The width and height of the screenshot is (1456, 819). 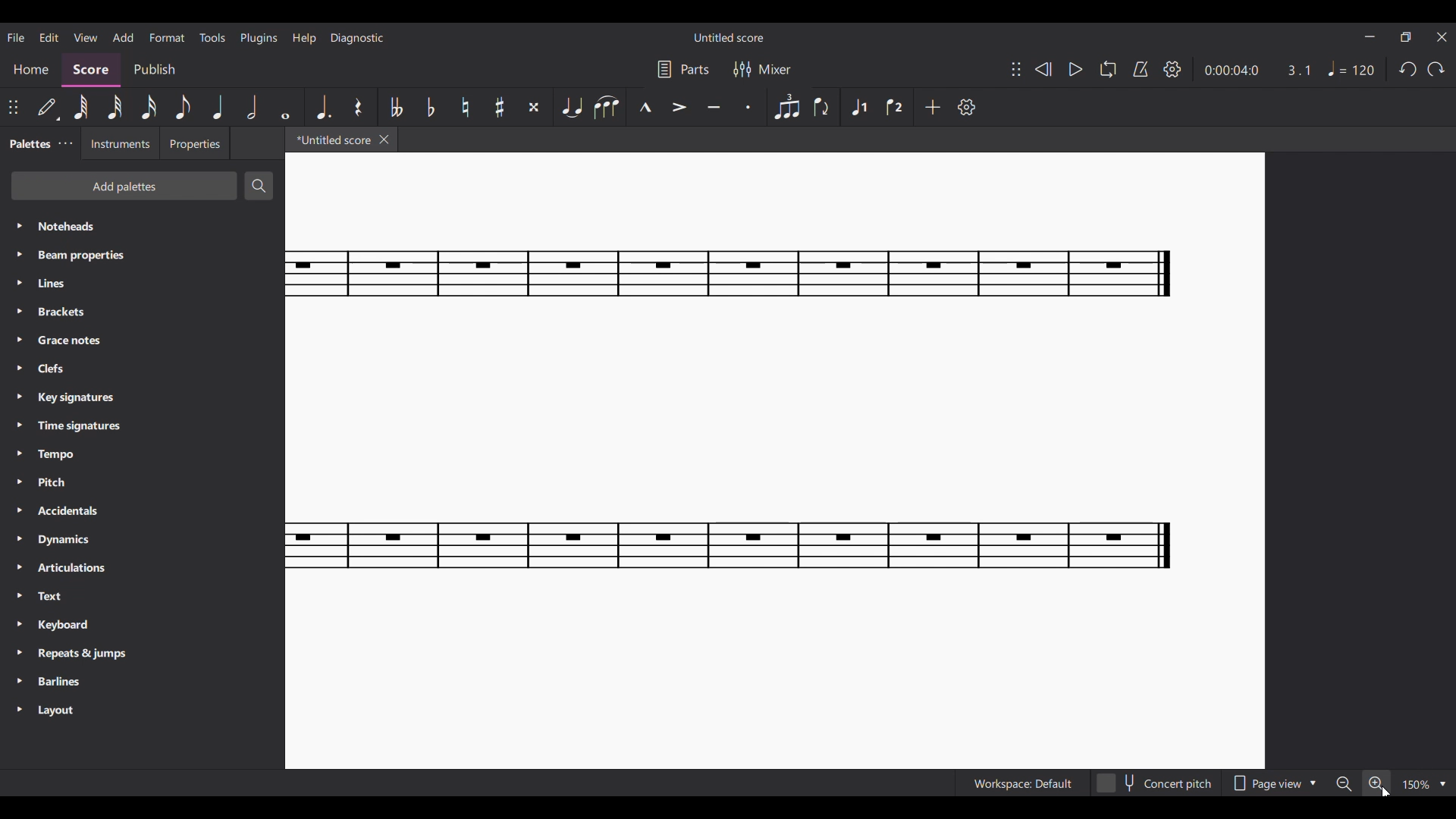 I want to click on Publish section, so click(x=154, y=70).